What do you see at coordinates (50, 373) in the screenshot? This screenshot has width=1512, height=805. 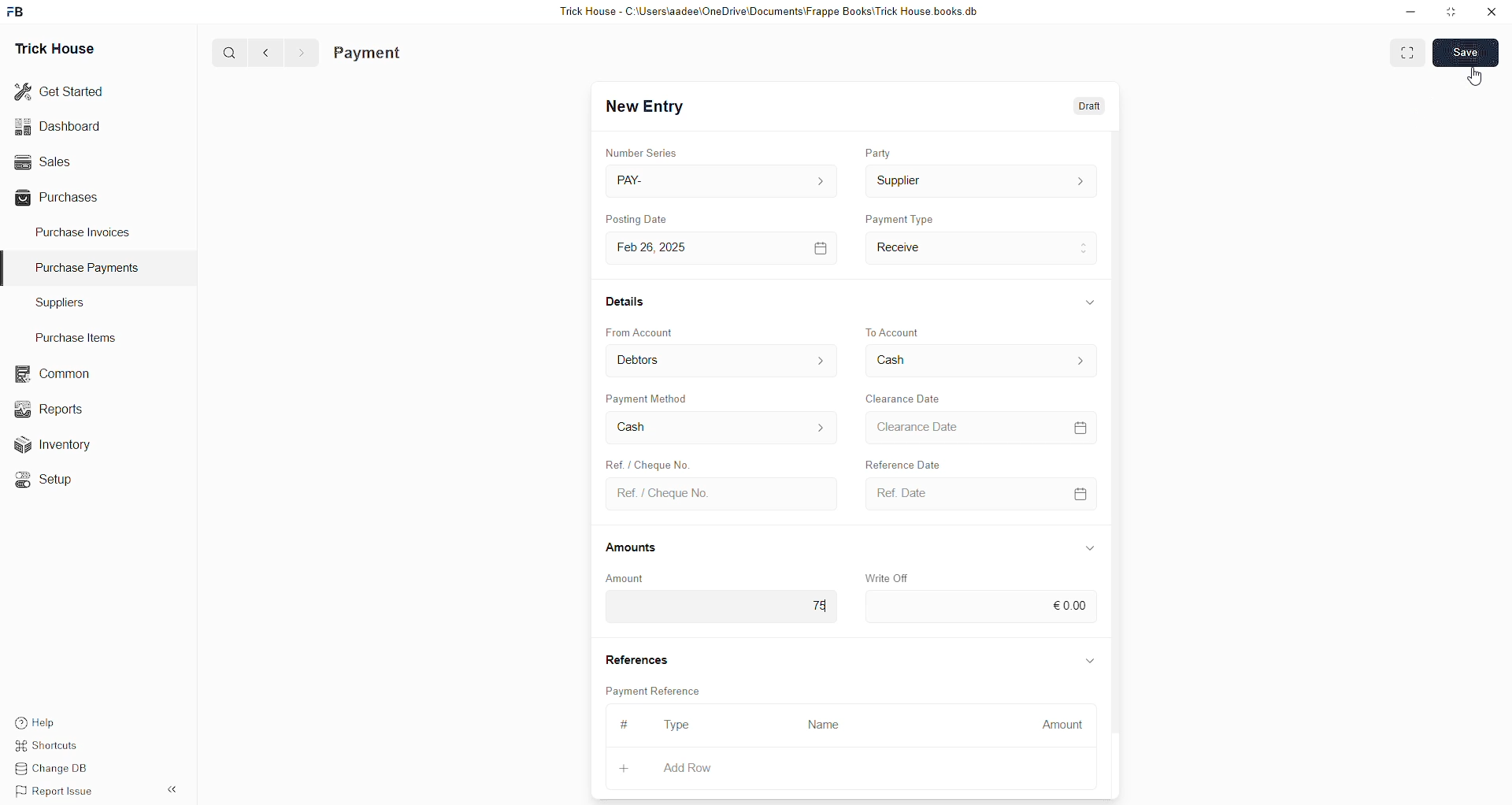 I see `Common` at bounding box center [50, 373].